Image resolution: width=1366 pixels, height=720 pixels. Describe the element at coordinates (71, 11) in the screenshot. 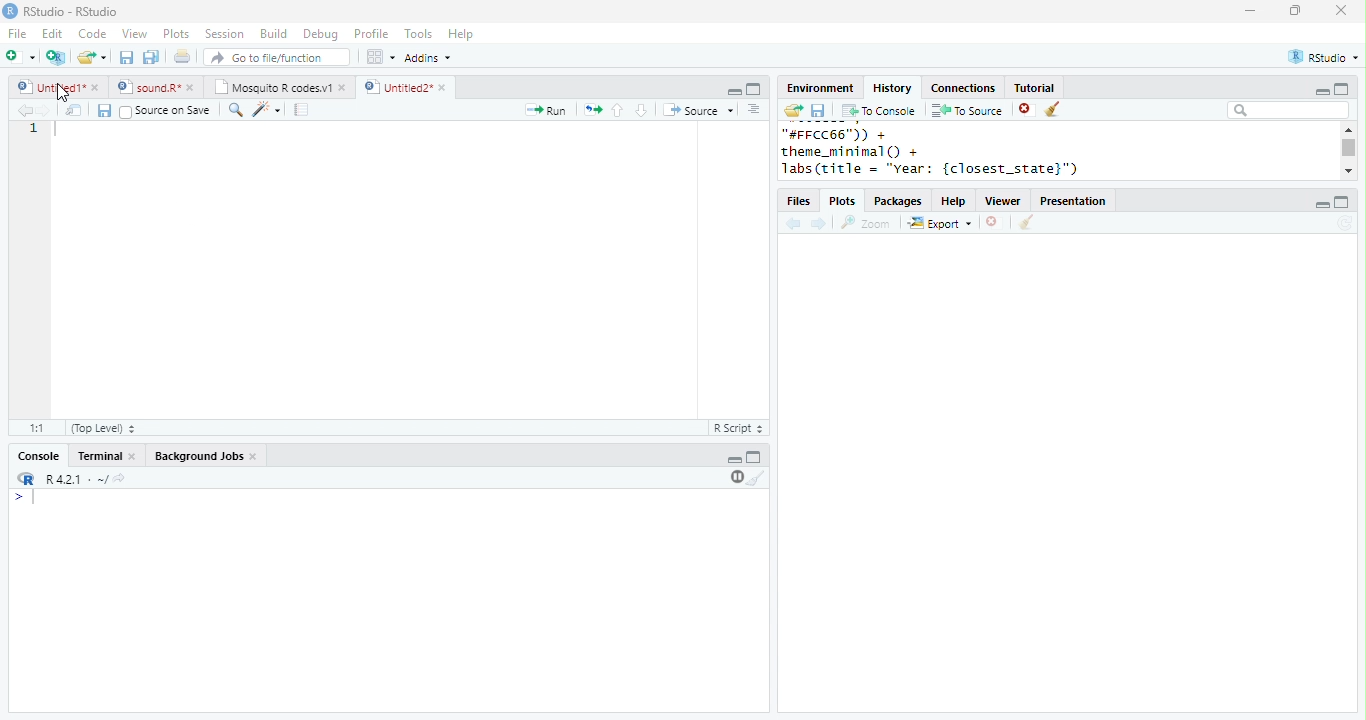

I see `RStudio-RStudio` at that location.